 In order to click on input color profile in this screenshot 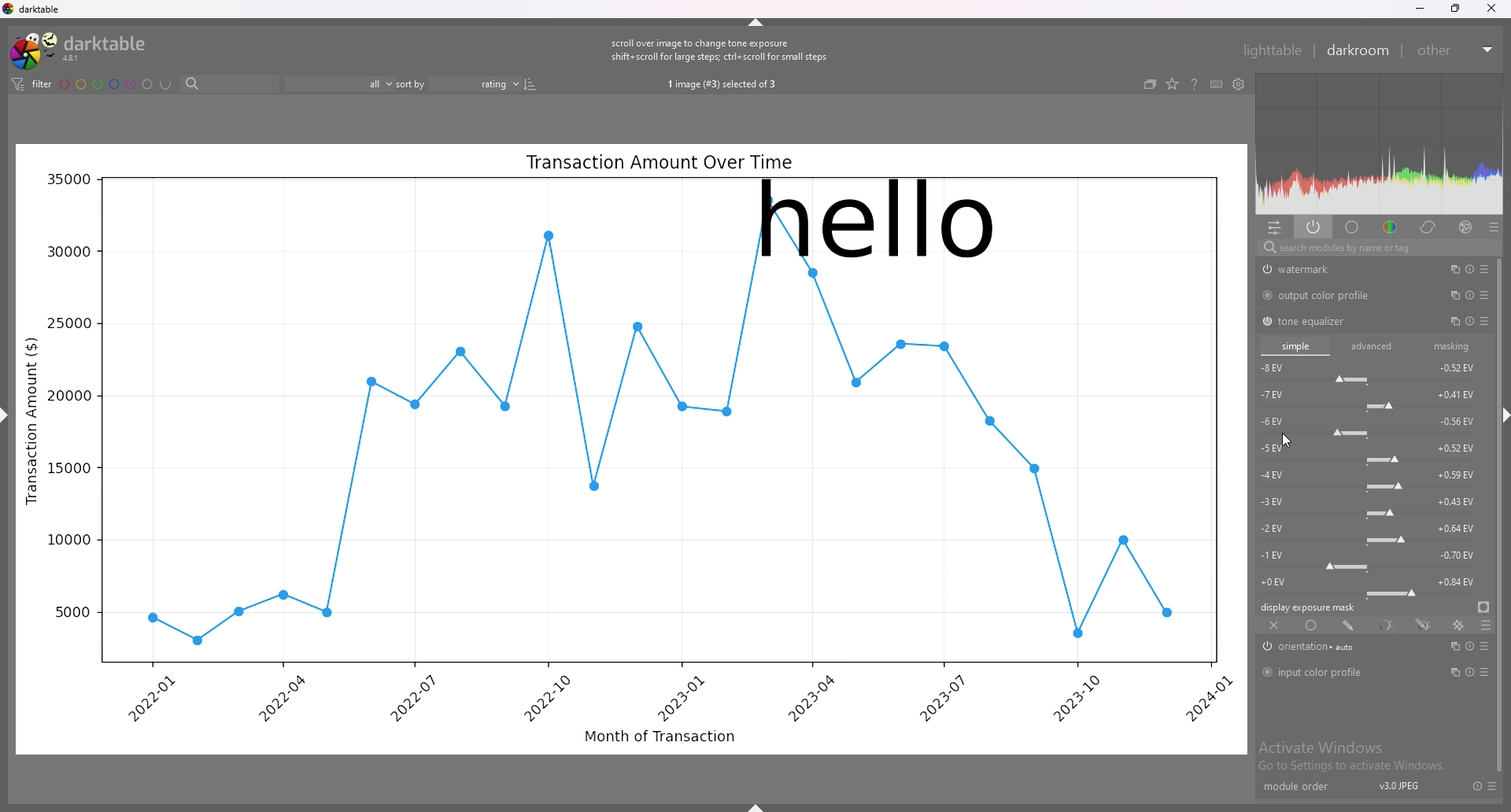, I will do `click(1325, 672)`.